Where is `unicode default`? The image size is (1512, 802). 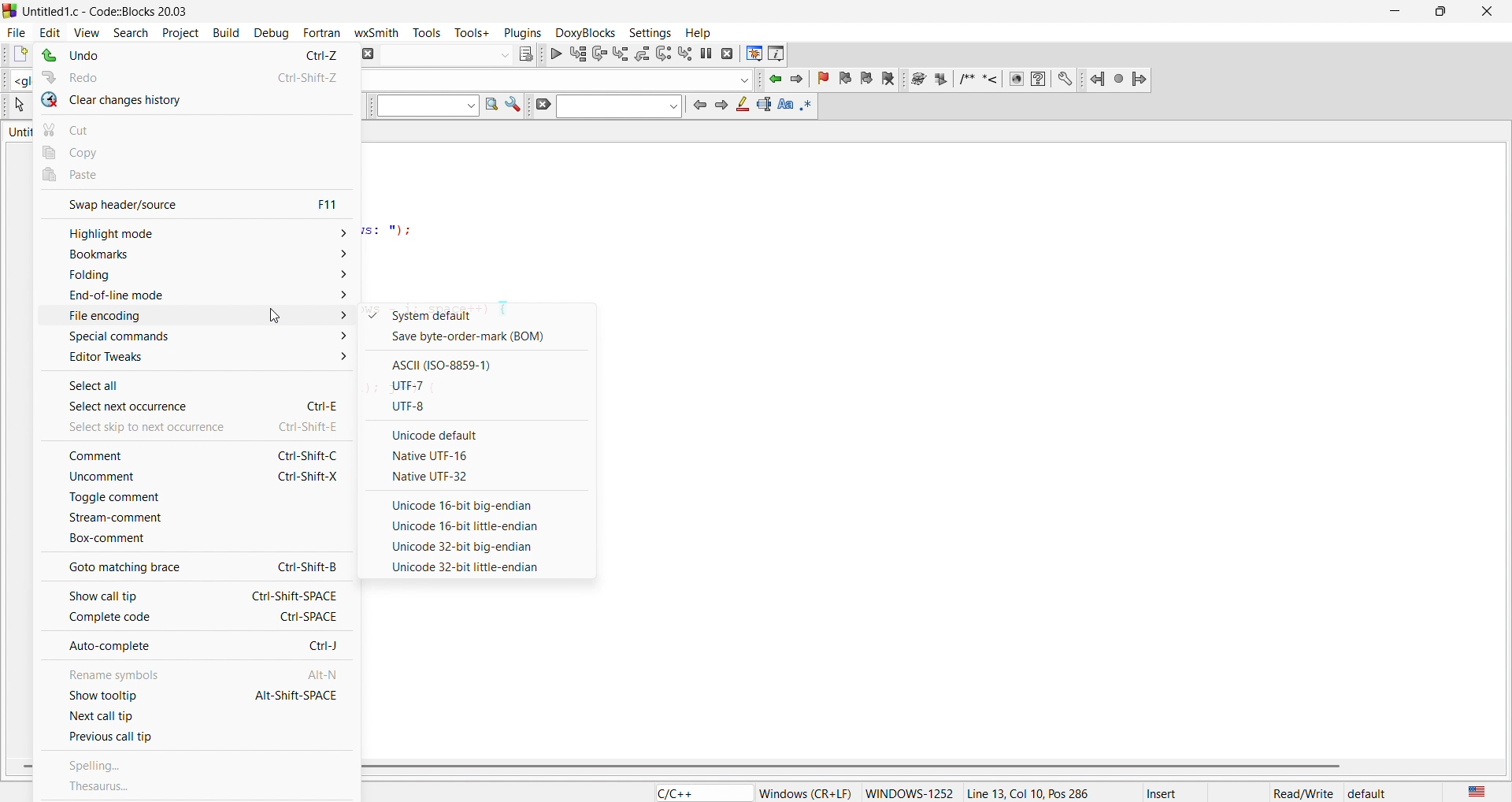
unicode default is located at coordinates (479, 430).